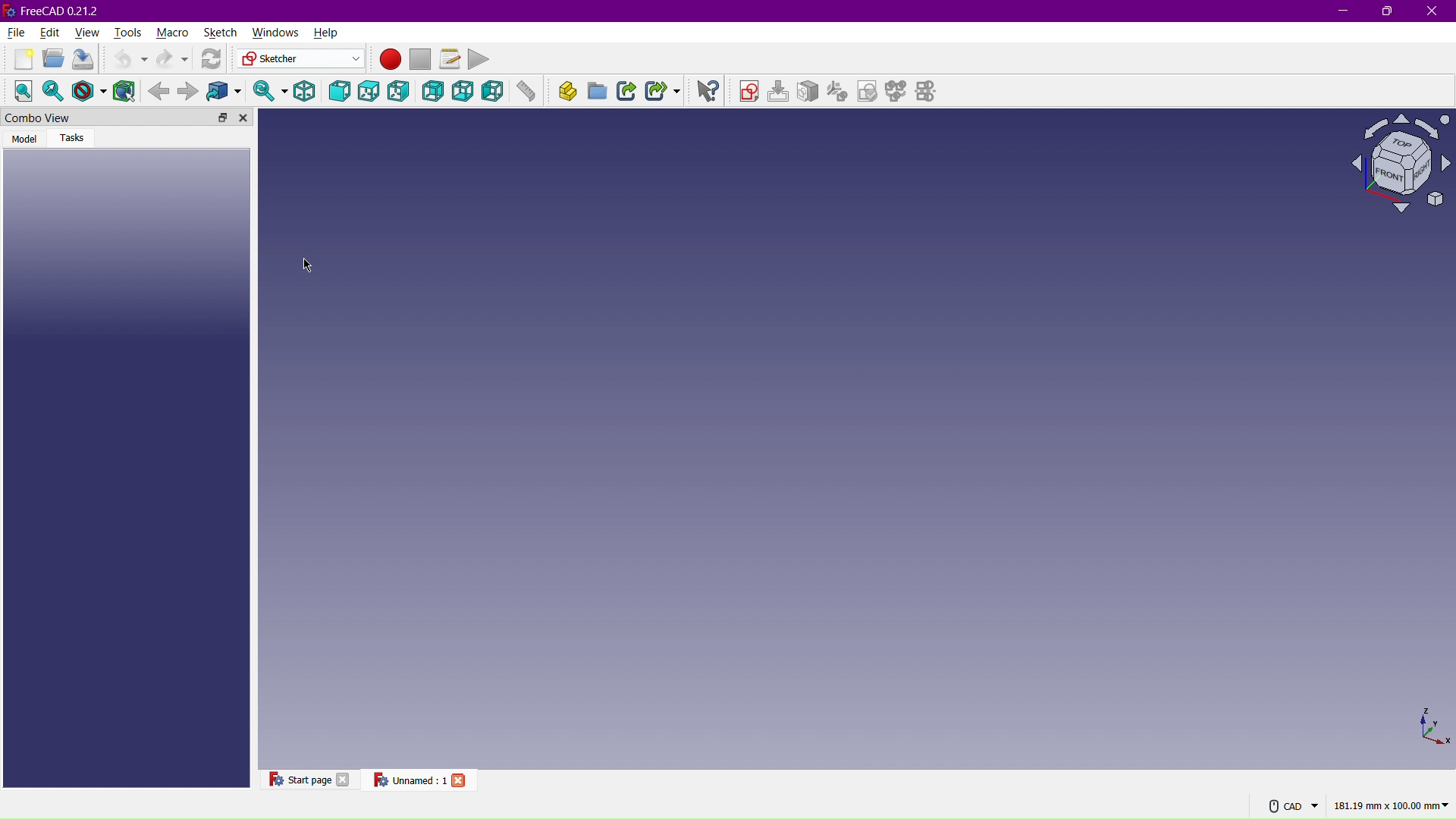 The width and height of the screenshot is (1456, 819). Describe the element at coordinates (53, 90) in the screenshot. I see `Fit selected content on the screen` at that location.